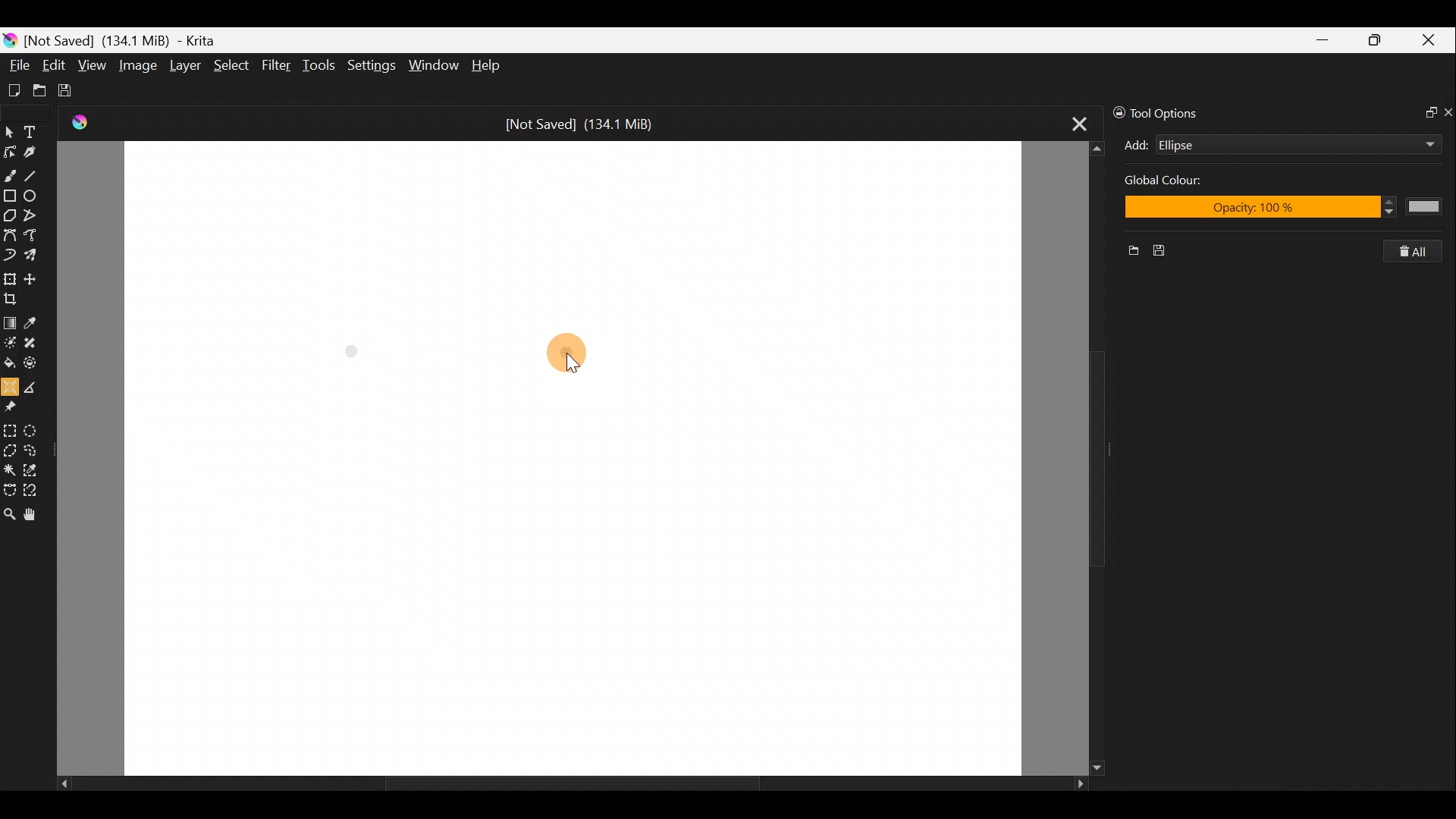 This screenshot has height=819, width=1456. Describe the element at coordinates (184, 66) in the screenshot. I see `Layer` at that location.